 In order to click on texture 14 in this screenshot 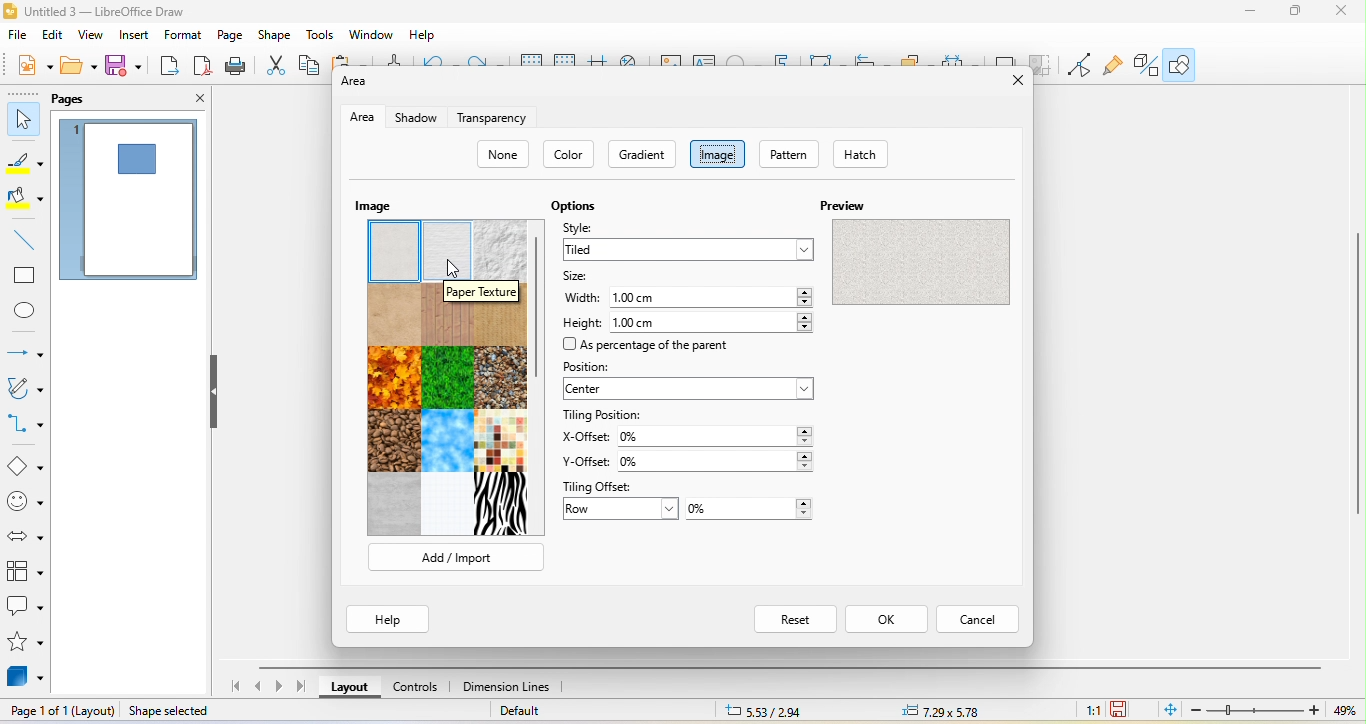, I will do `click(448, 504)`.